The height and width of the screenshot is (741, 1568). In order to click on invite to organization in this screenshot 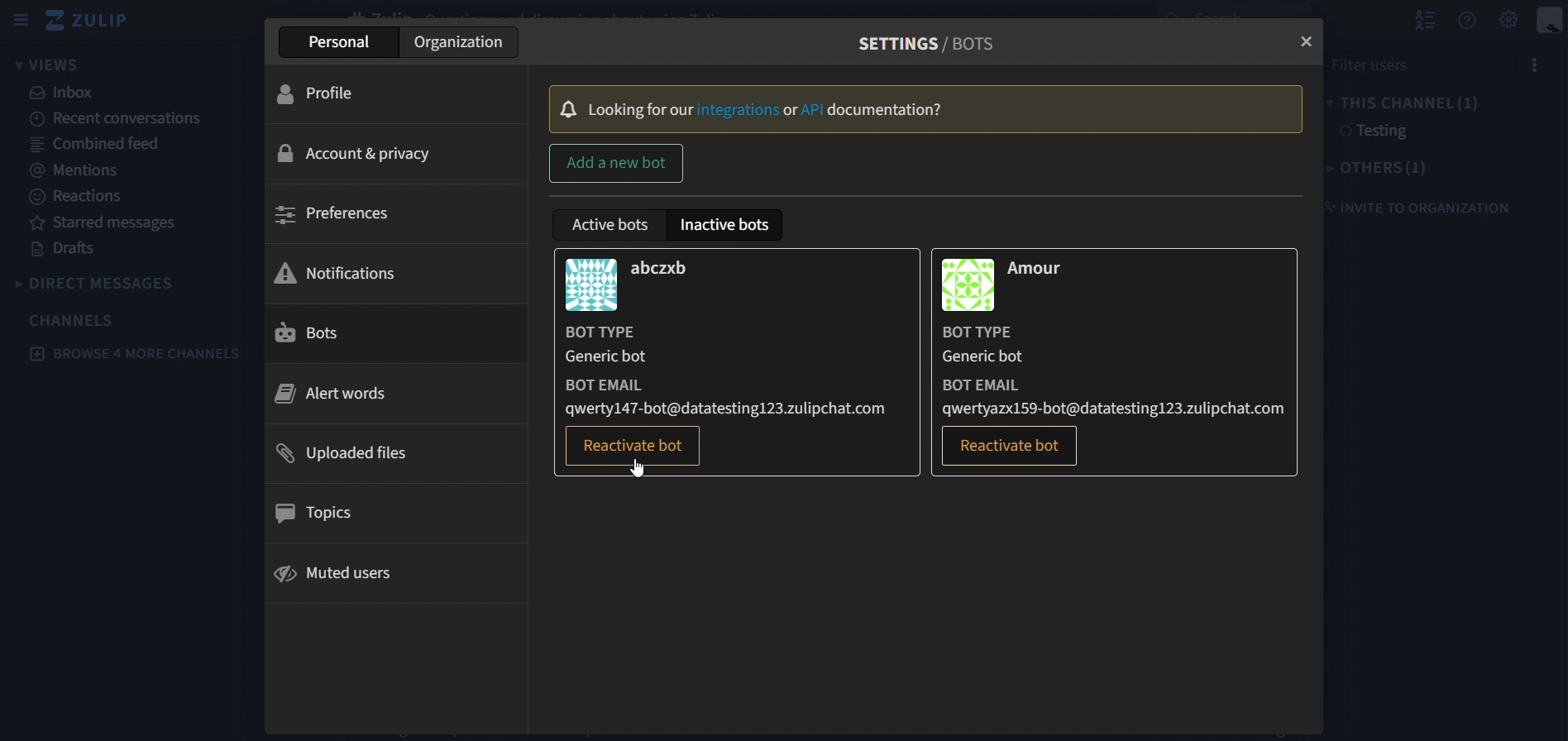, I will do `click(1415, 207)`.